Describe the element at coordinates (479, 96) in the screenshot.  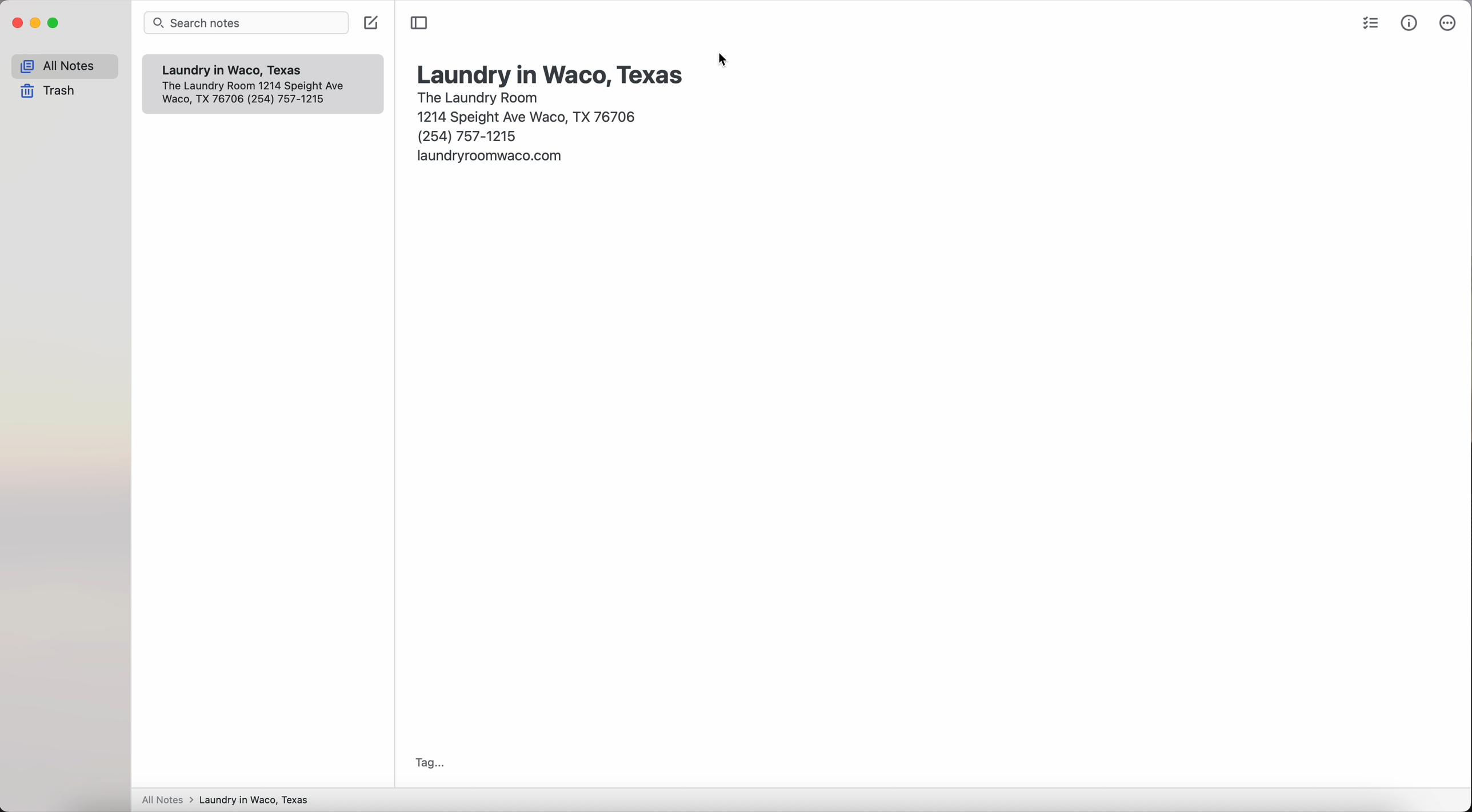
I see `the laundry room` at that location.